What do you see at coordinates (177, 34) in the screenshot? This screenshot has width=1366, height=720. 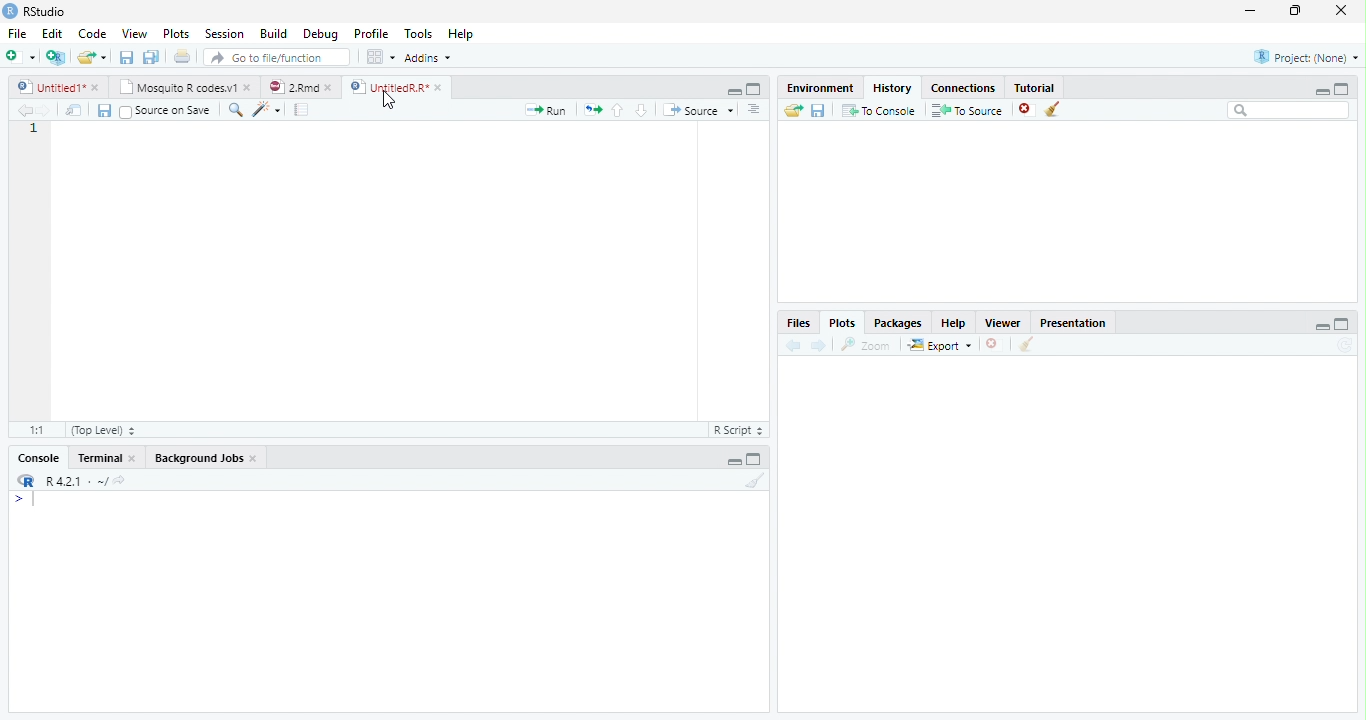 I see `Plots` at bounding box center [177, 34].